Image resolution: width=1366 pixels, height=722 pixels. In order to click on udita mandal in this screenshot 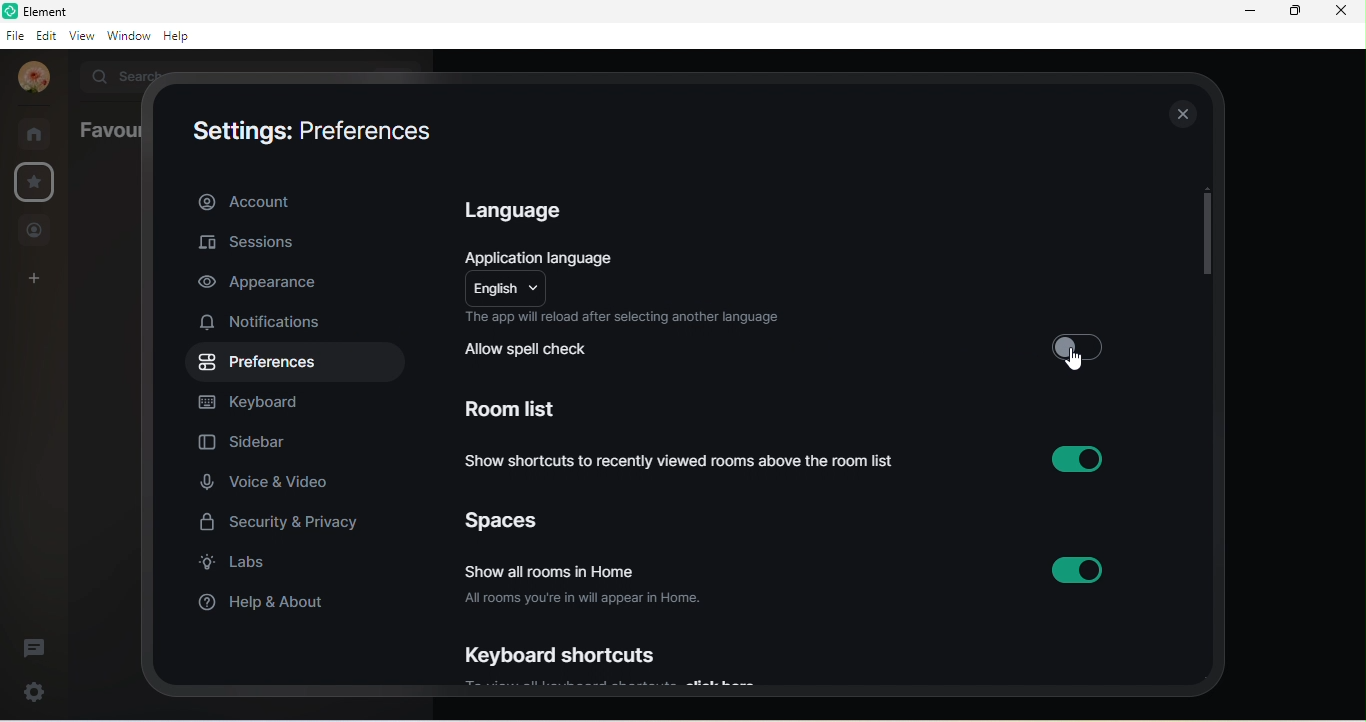, I will do `click(29, 78)`.